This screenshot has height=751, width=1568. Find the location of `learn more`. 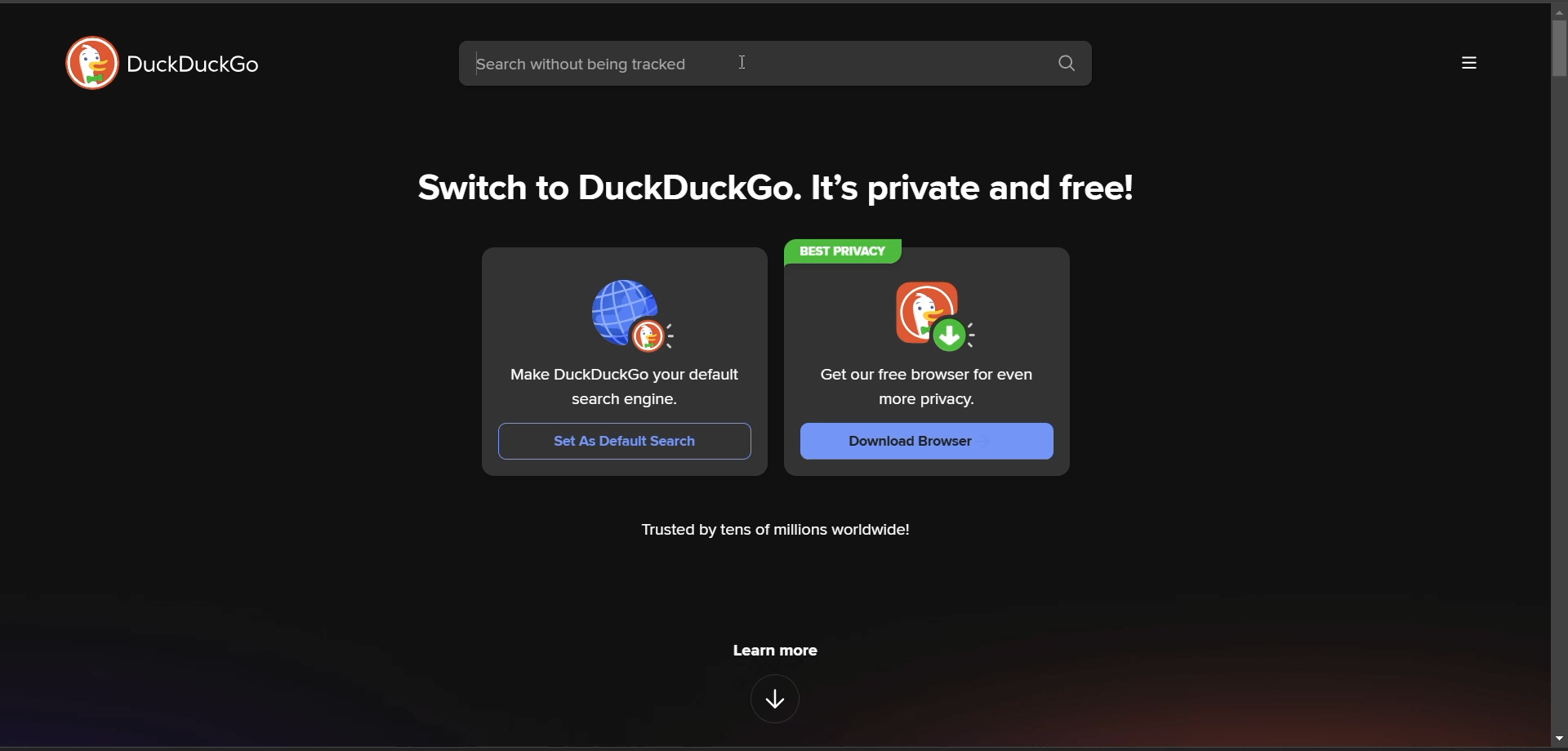

learn more is located at coordinates (778, 655).